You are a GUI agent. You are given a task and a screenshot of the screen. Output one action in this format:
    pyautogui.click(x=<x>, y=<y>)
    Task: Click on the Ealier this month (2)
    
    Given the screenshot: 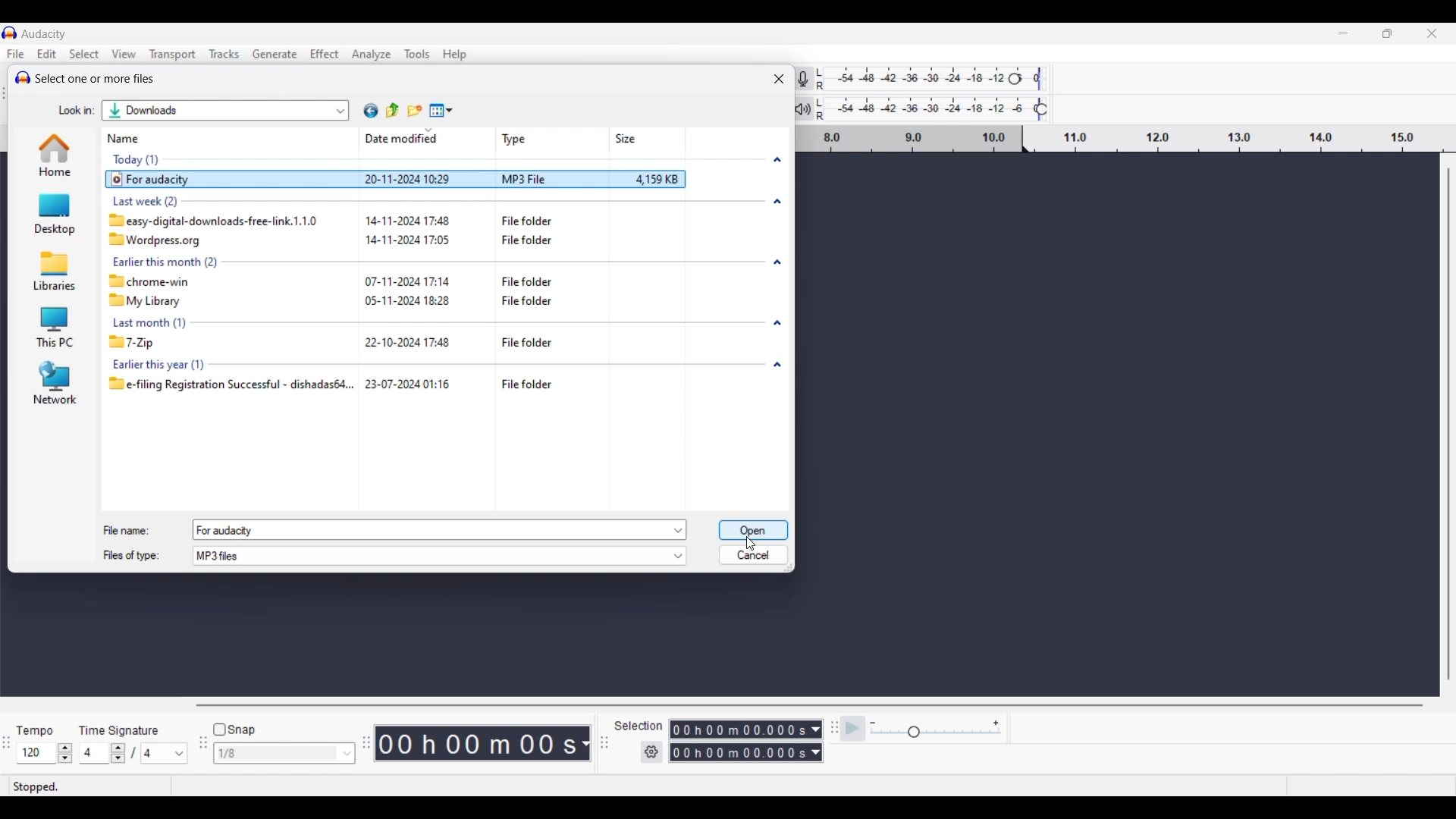 What is the action you would take?
    pyautogui.click(x=384, y=260)
    